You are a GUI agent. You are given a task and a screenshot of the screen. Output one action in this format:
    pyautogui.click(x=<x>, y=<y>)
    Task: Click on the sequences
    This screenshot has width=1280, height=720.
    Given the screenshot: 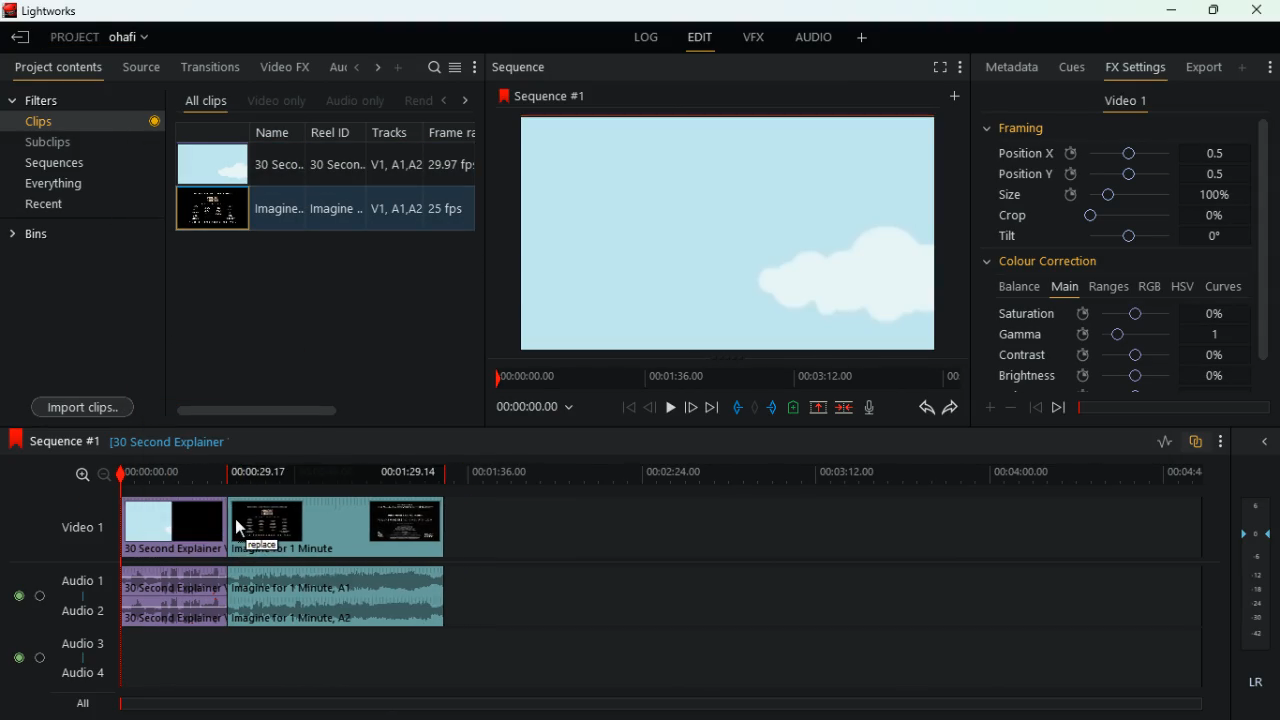 What is the action you would take?
    pyautogui.click(x=78, y=163)
    